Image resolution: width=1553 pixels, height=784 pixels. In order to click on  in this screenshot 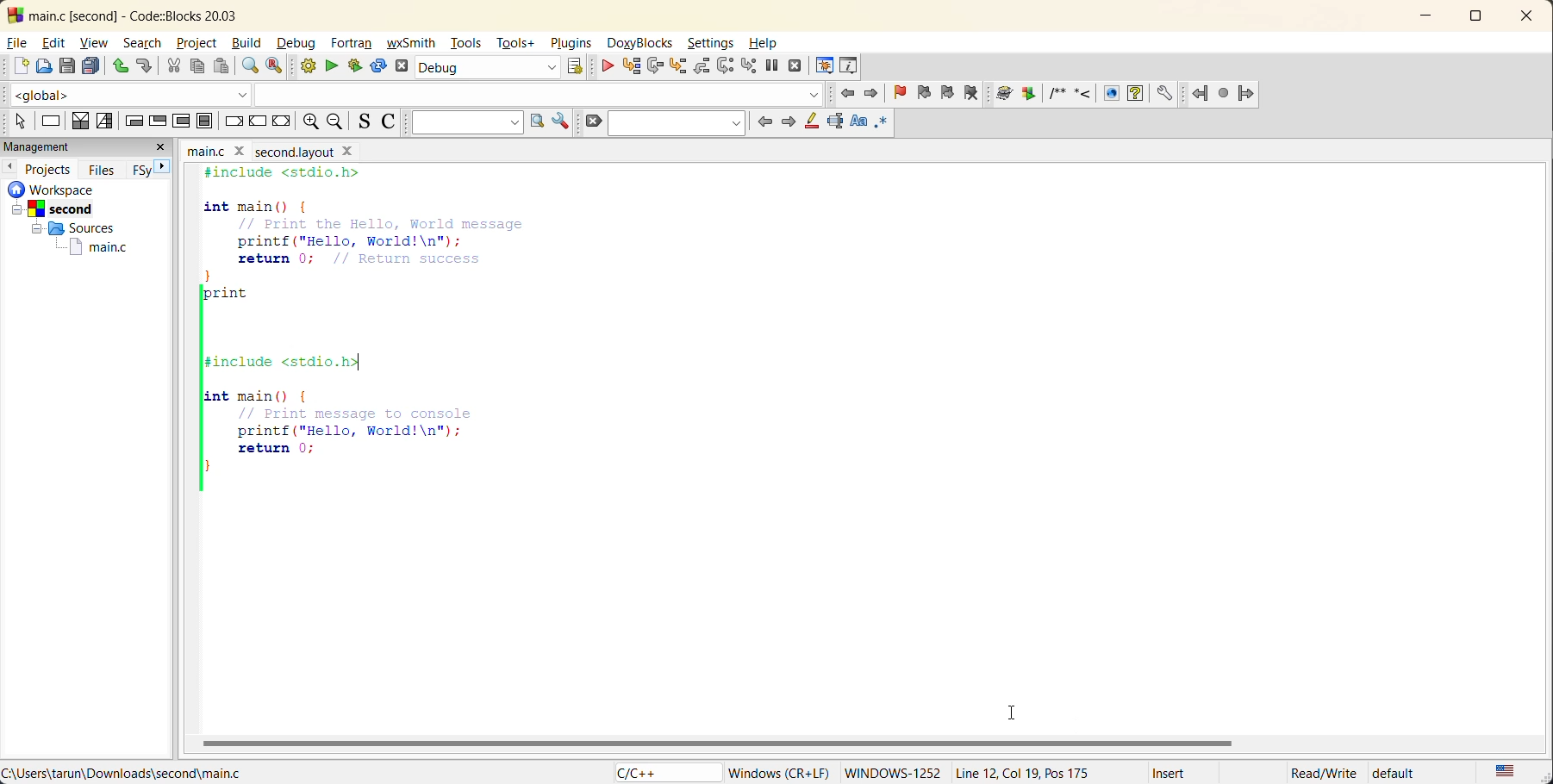, I will do `click(52, 208)`.